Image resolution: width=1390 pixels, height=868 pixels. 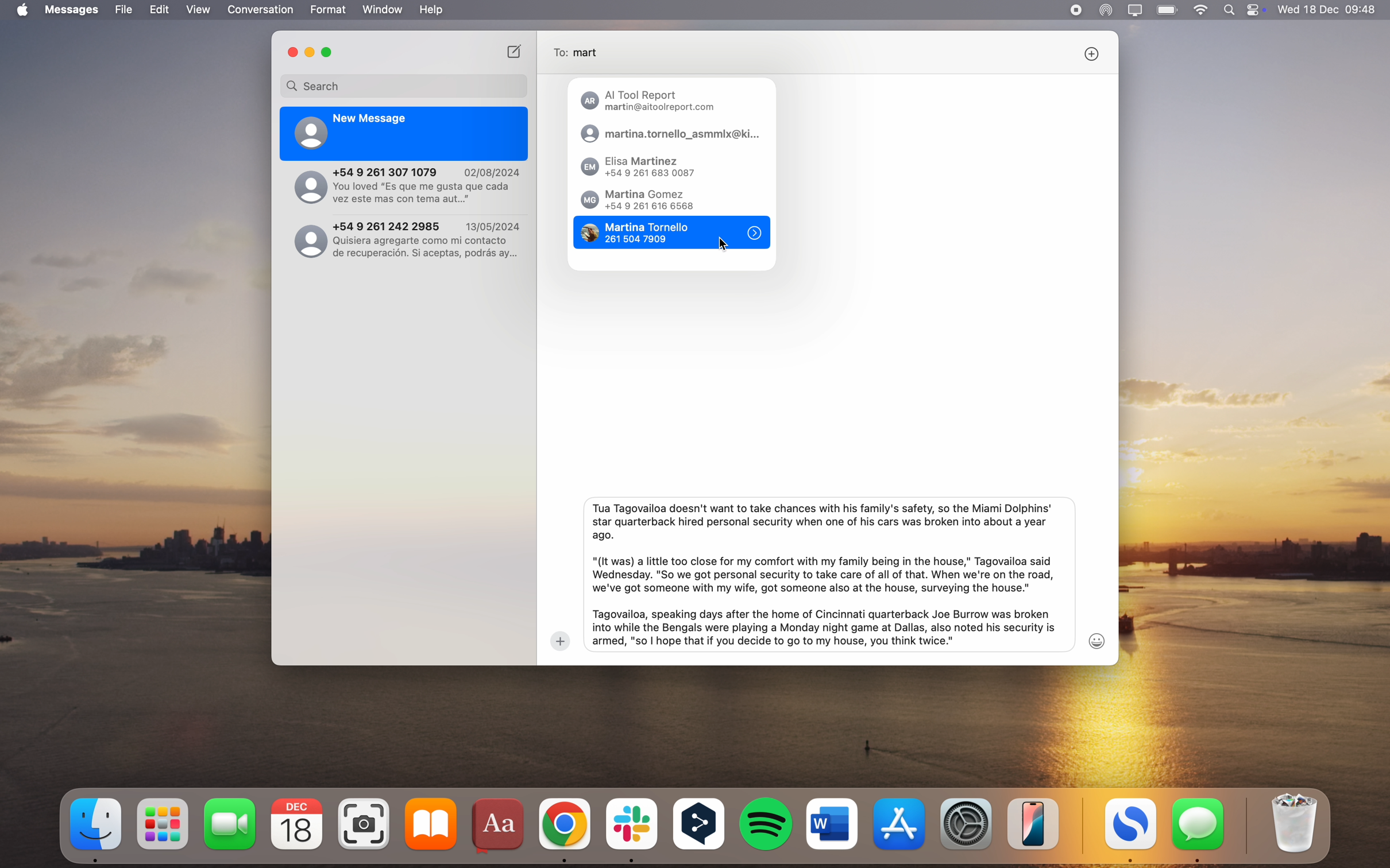 What do you see at coordinates (1131, 831) in the screenshot?
I see `simplenote` at bounding box center [1131, 831].